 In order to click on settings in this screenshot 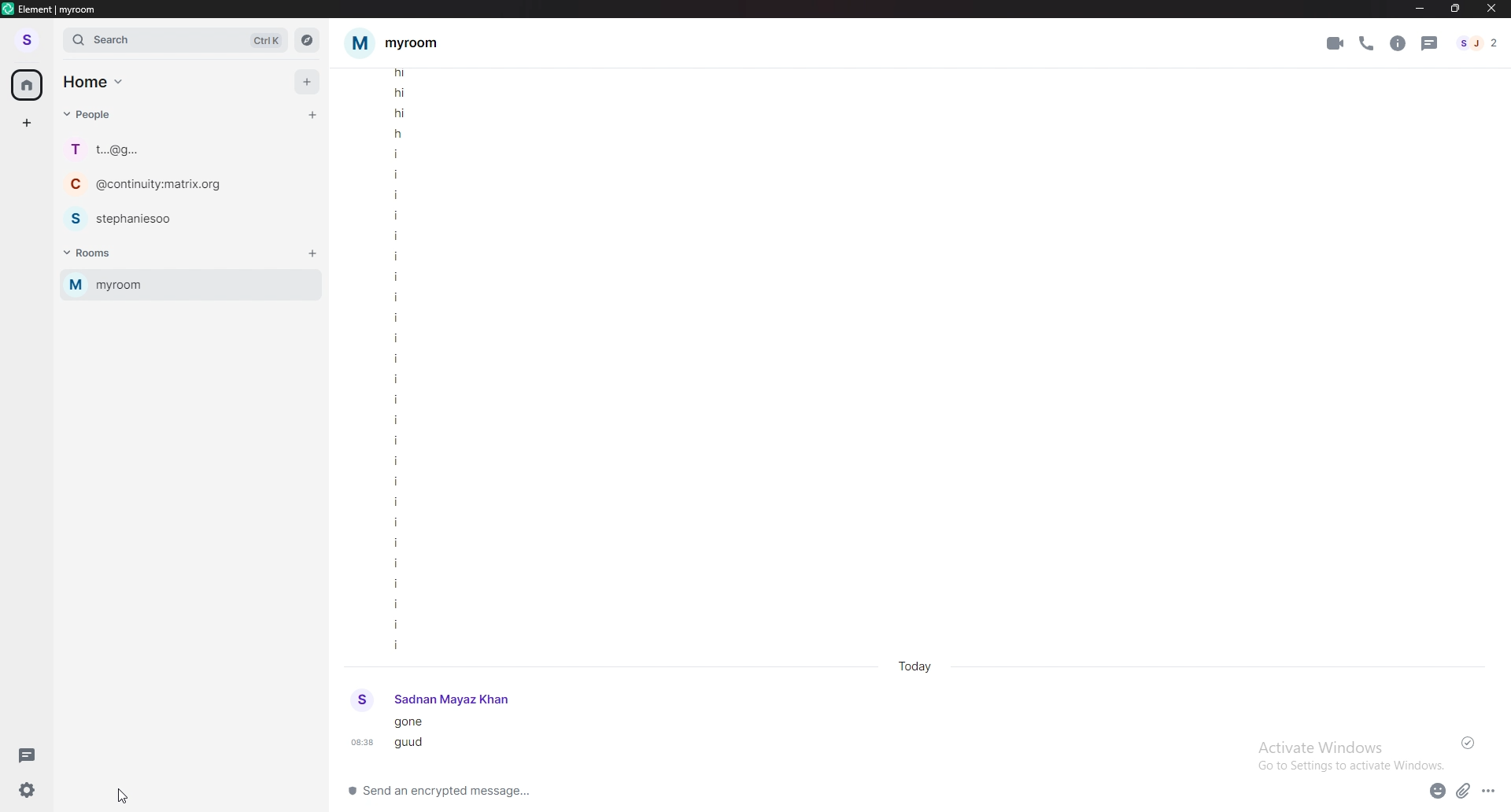, I will do `click(24, 789)`.